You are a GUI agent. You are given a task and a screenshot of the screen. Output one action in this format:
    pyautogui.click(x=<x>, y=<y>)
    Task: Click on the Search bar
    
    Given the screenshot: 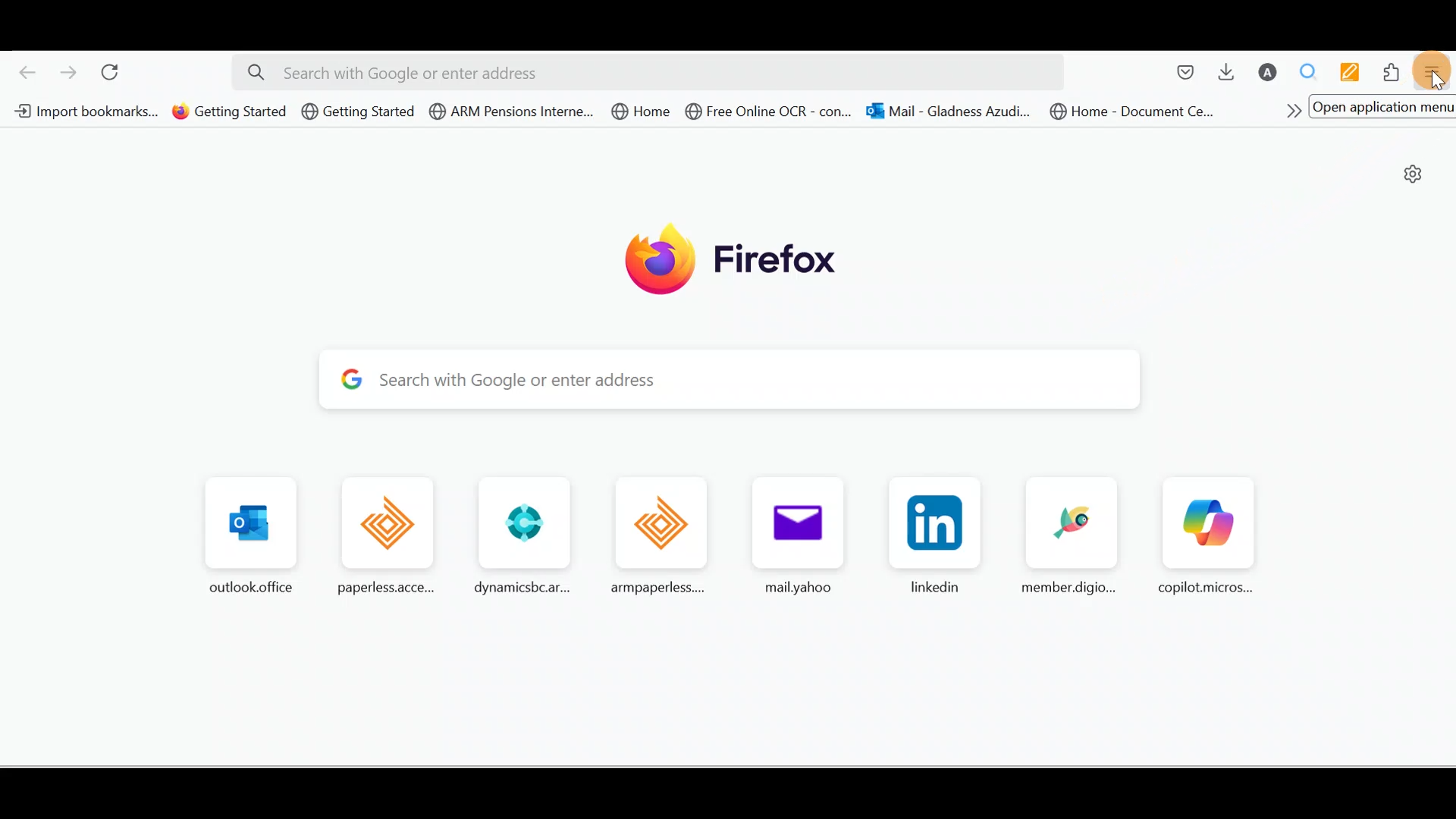 What is the action you would take?
    pyautogui.click(x=648, y=73)
    